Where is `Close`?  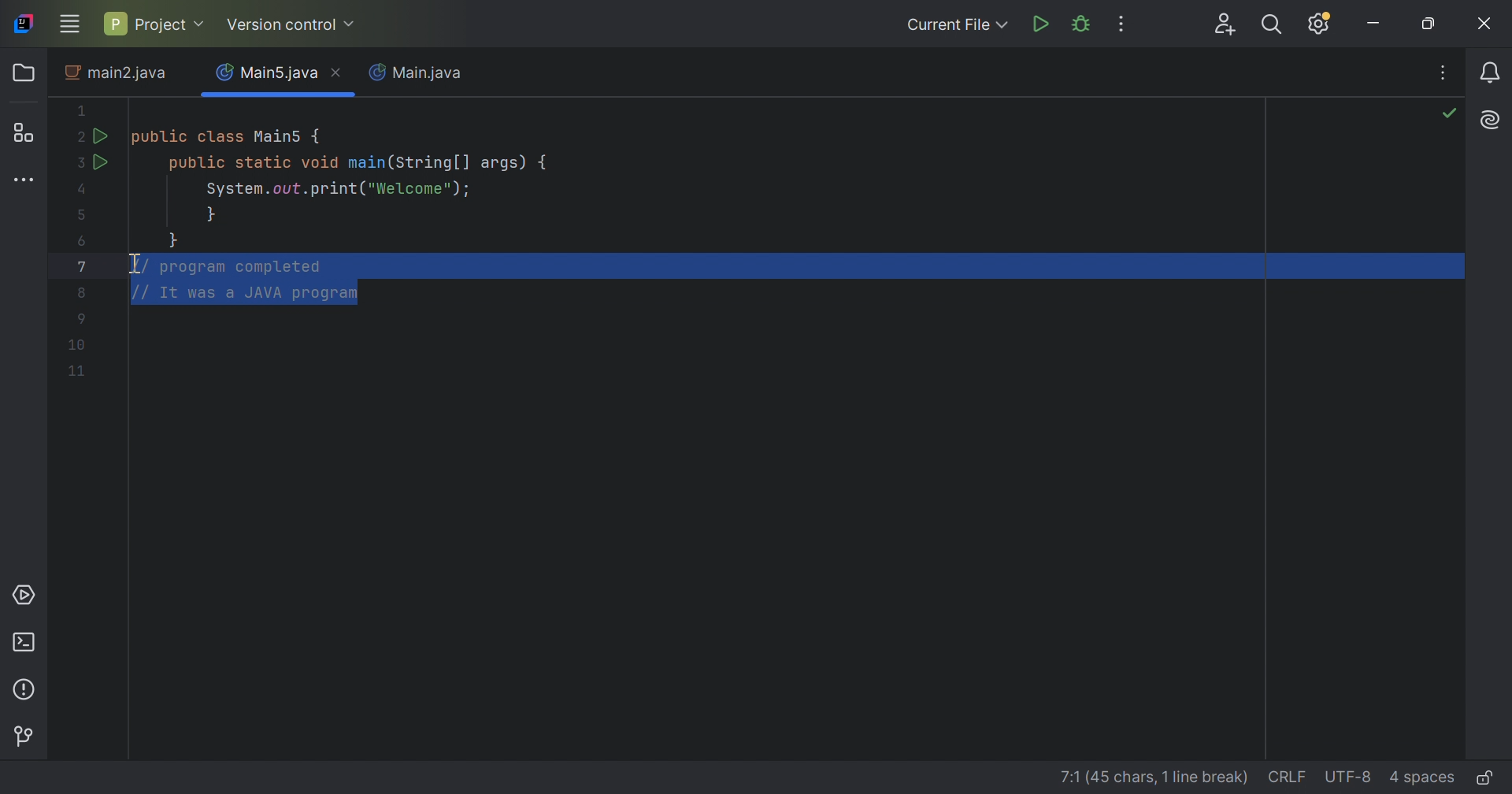
Close is located at coordinates (340, 74).